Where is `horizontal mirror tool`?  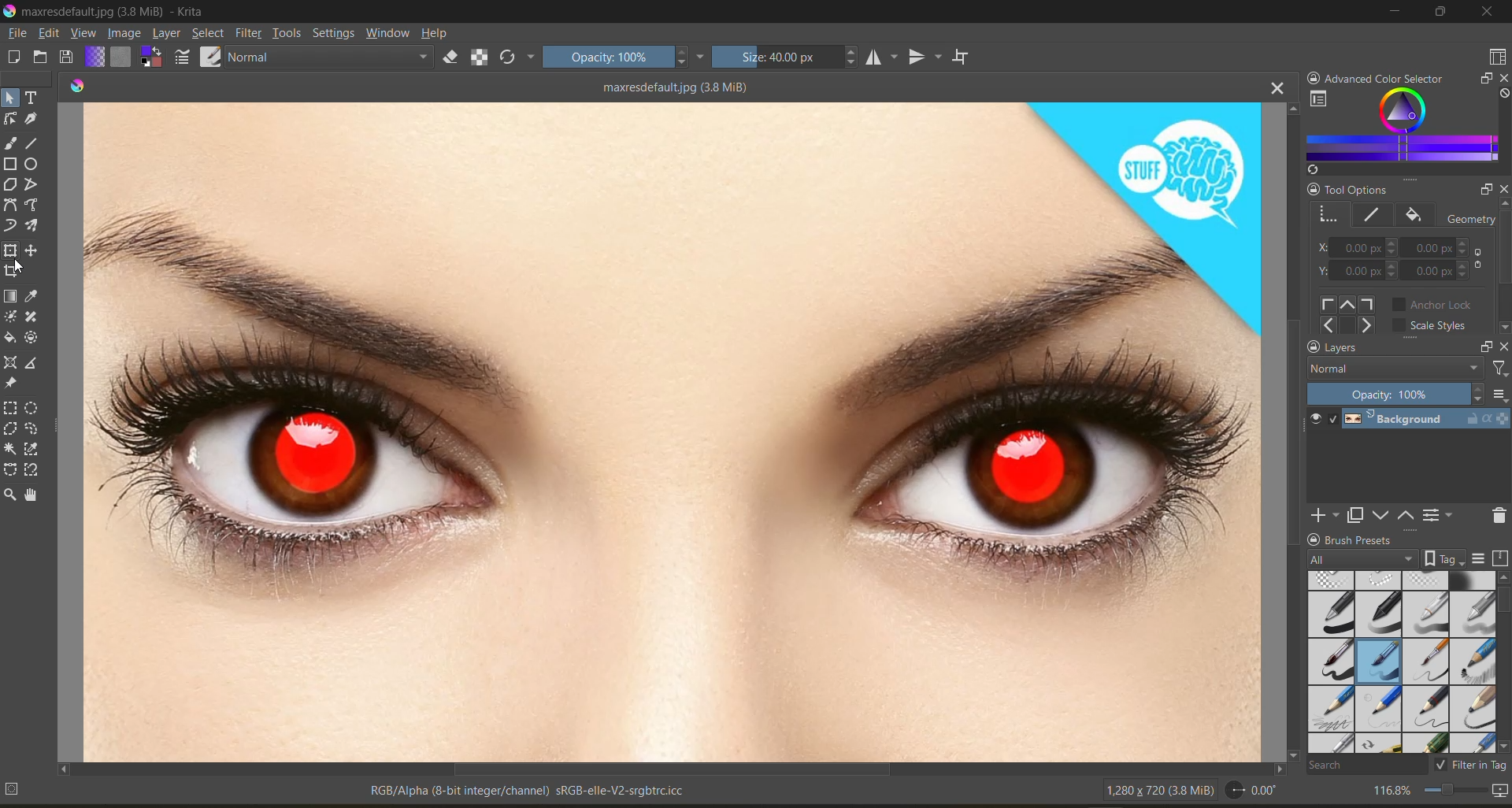
horizontal mirror tool is located at coordinates (883, 57).